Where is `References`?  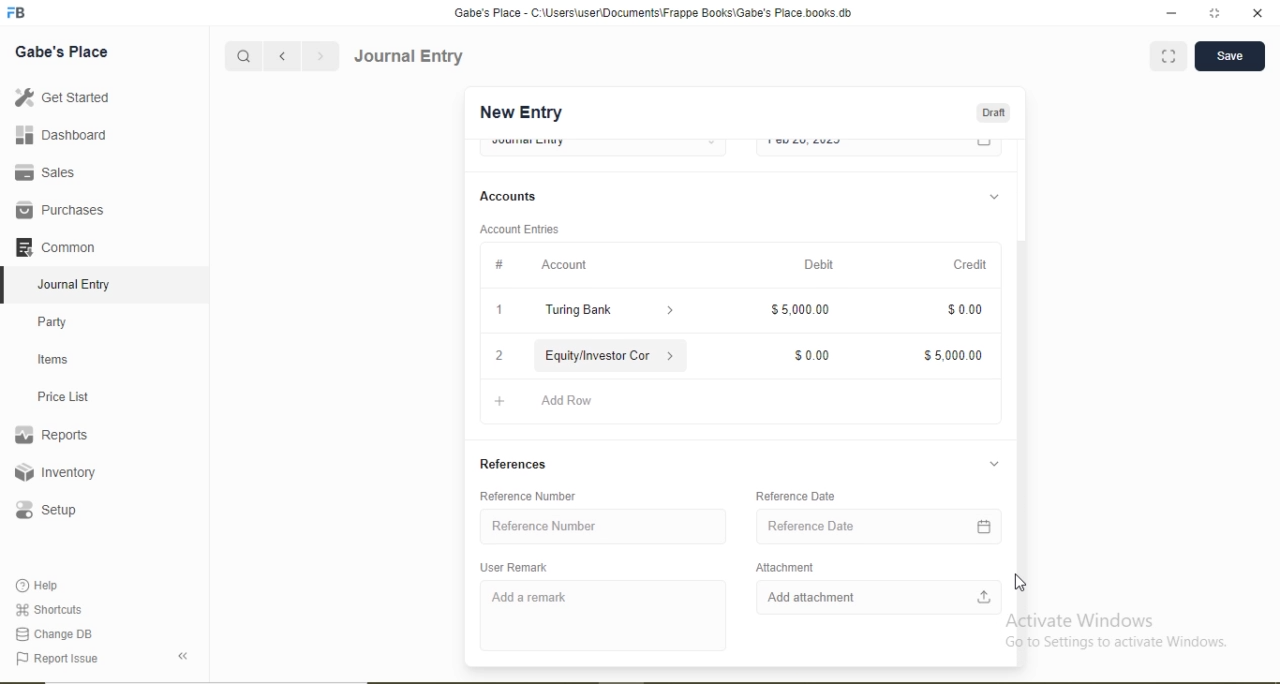 References is located at coordinates (514, 464).